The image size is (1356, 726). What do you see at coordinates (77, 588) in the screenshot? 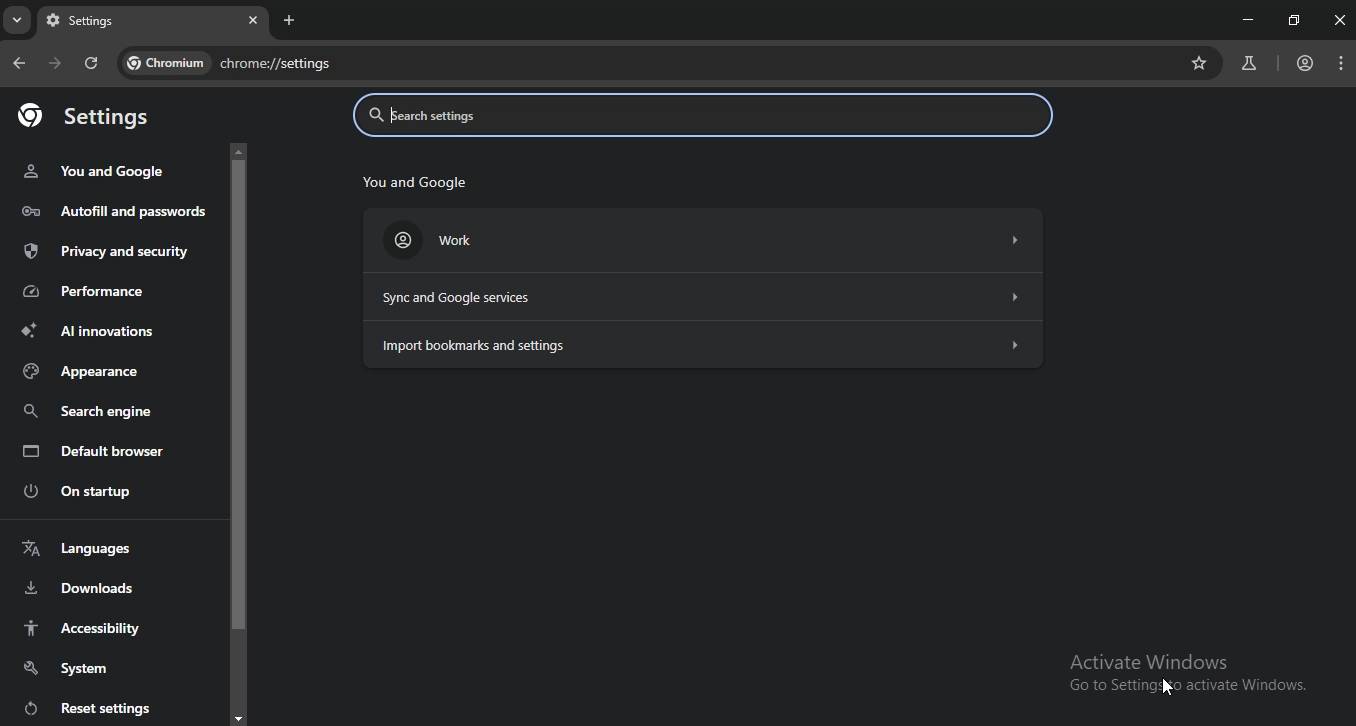
I see `Downloads` at bounding box center [77, 588].